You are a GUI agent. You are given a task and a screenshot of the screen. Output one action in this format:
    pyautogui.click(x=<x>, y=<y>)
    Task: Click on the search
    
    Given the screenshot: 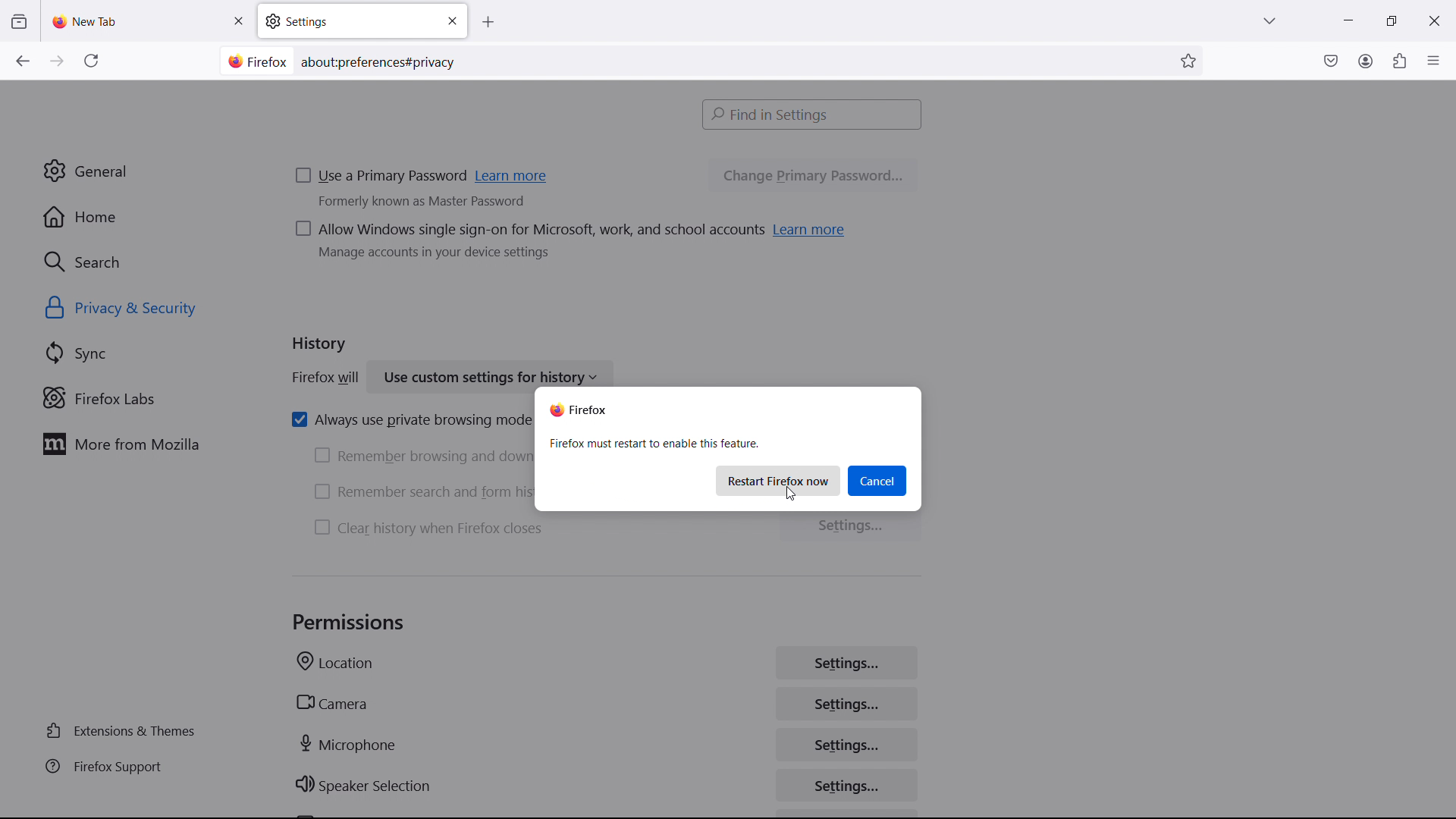 What is the action you would take?
    pyautogui.click(x=146, y=261)
    